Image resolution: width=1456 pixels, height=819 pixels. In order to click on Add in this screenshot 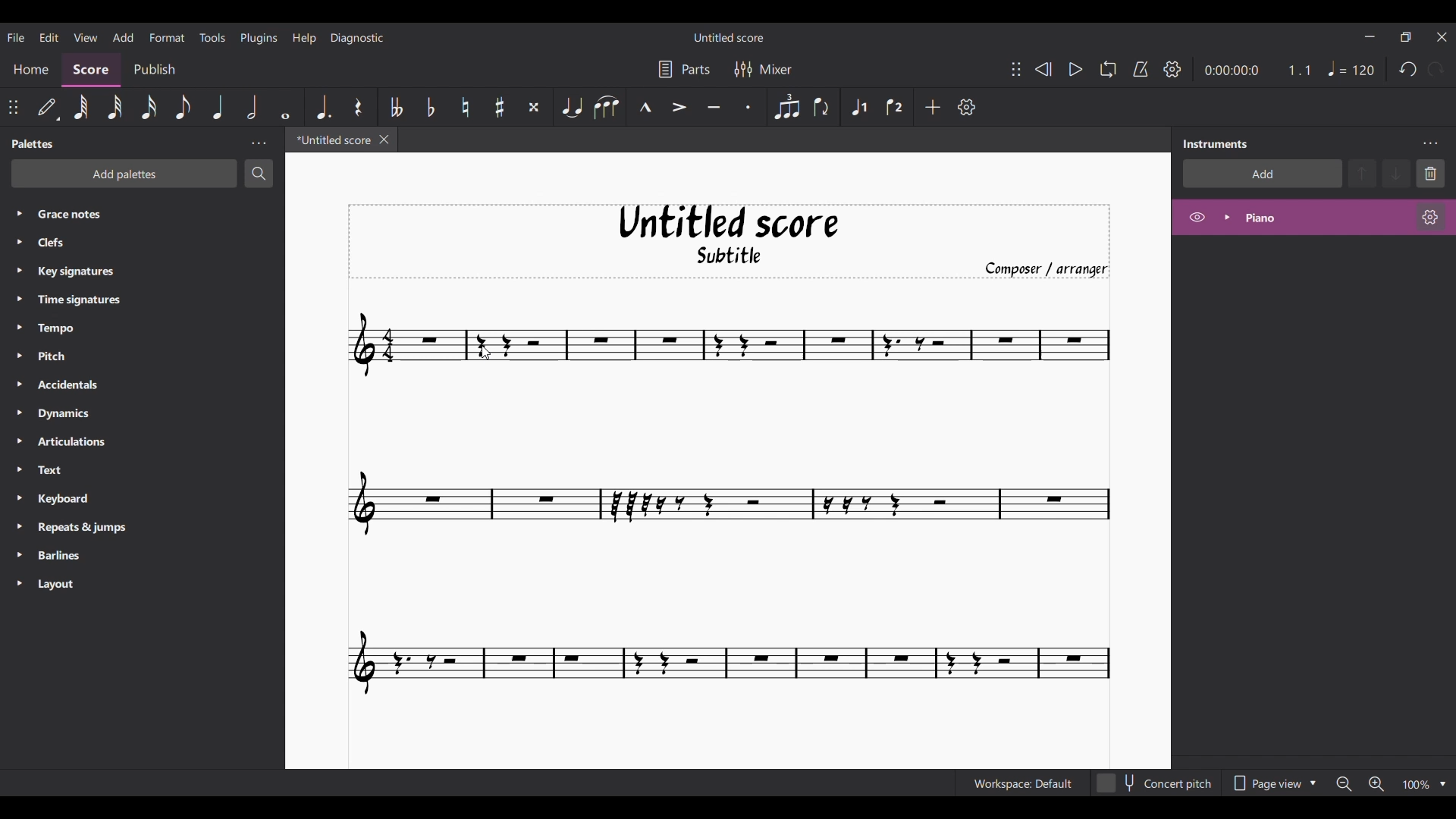, I will do `click(933, 107)`.